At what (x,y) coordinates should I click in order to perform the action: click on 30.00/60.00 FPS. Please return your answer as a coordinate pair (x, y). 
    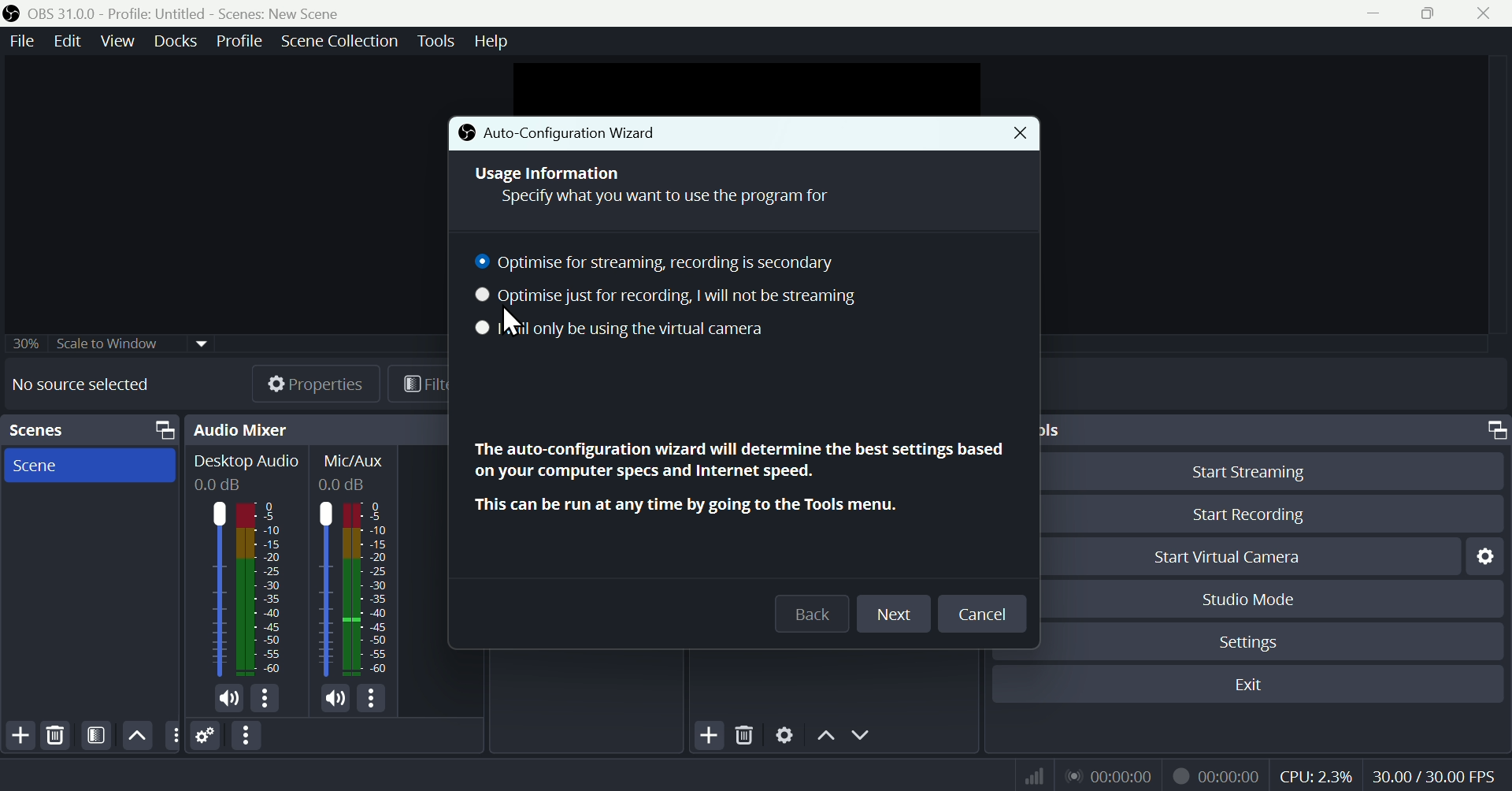
    Looking at the image, I should click on (1438, 772).